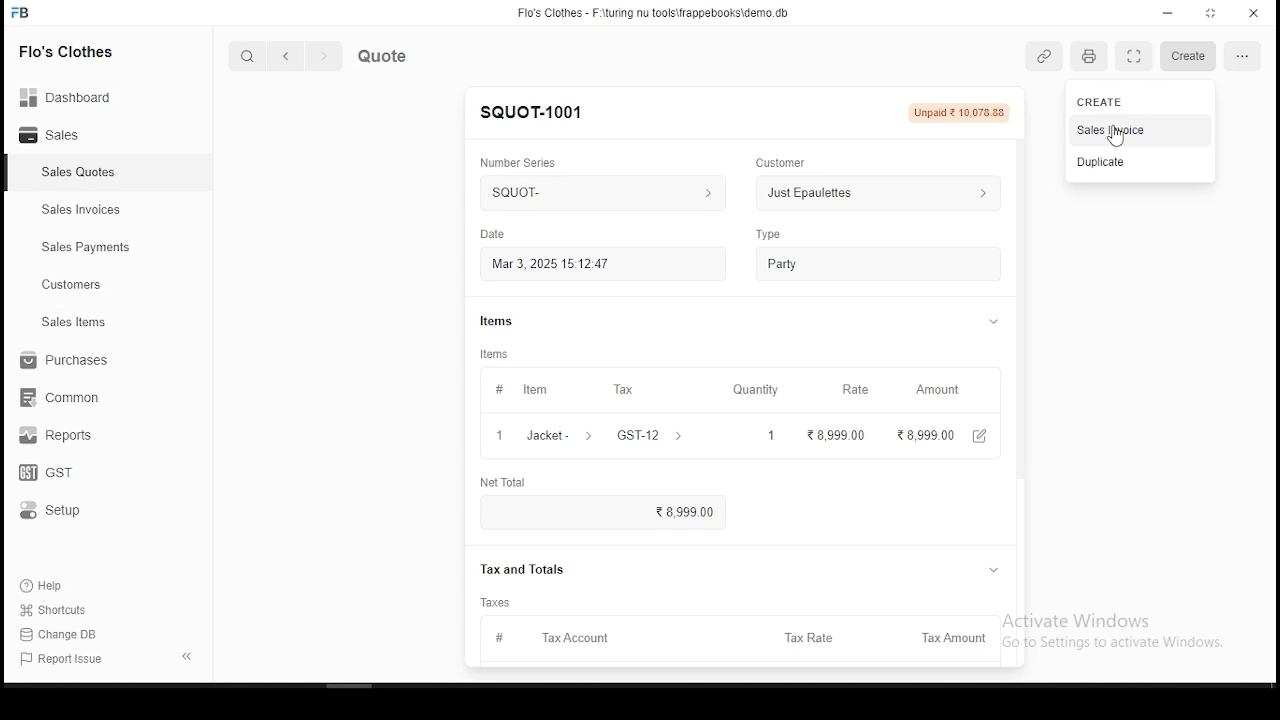  Describe the element at coordinates (771, 434) in the screenshot. I see `1` at that location.